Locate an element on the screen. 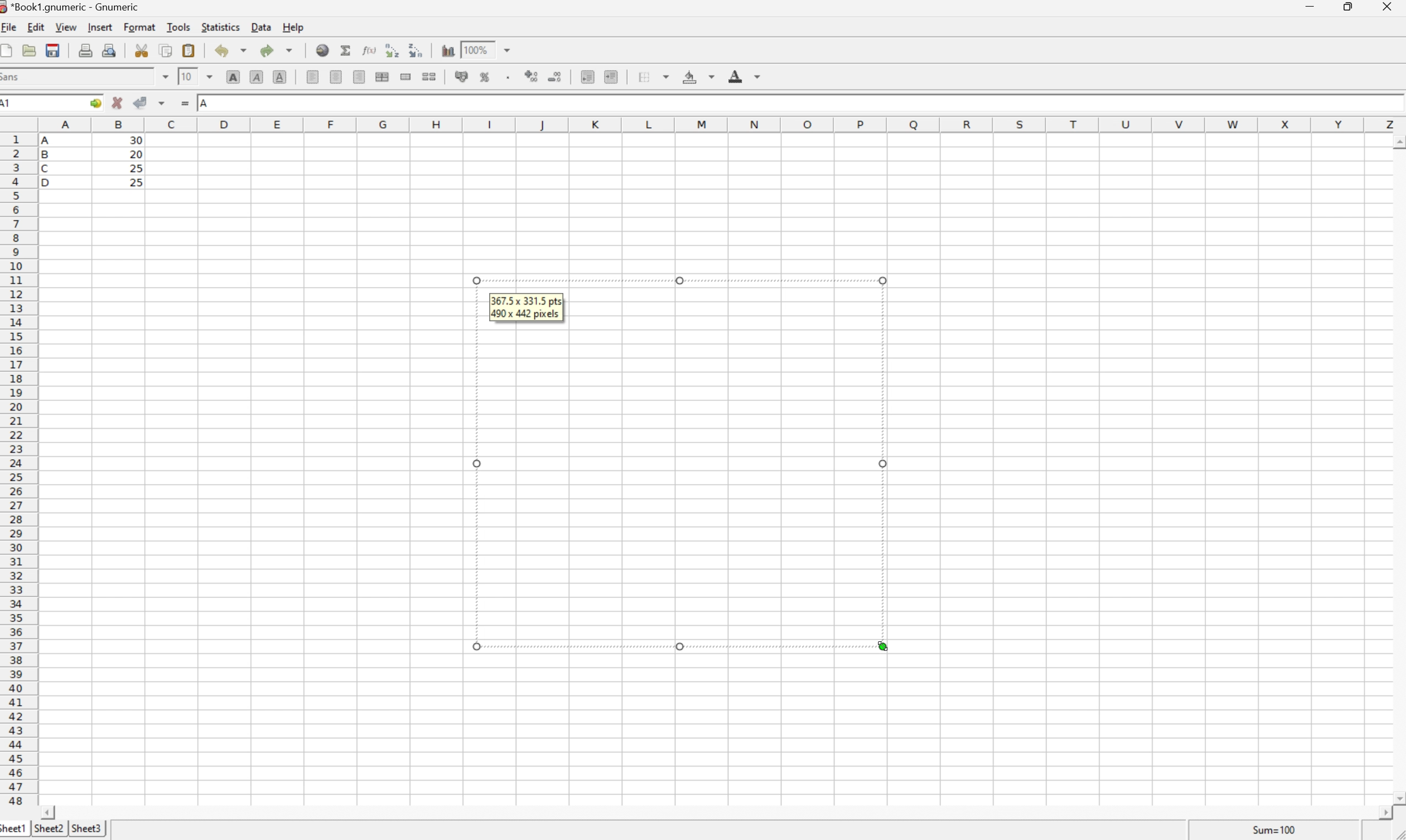 This screenshot has width=1406, height=840. Create a new workbook is located at coordinates (9, 50).